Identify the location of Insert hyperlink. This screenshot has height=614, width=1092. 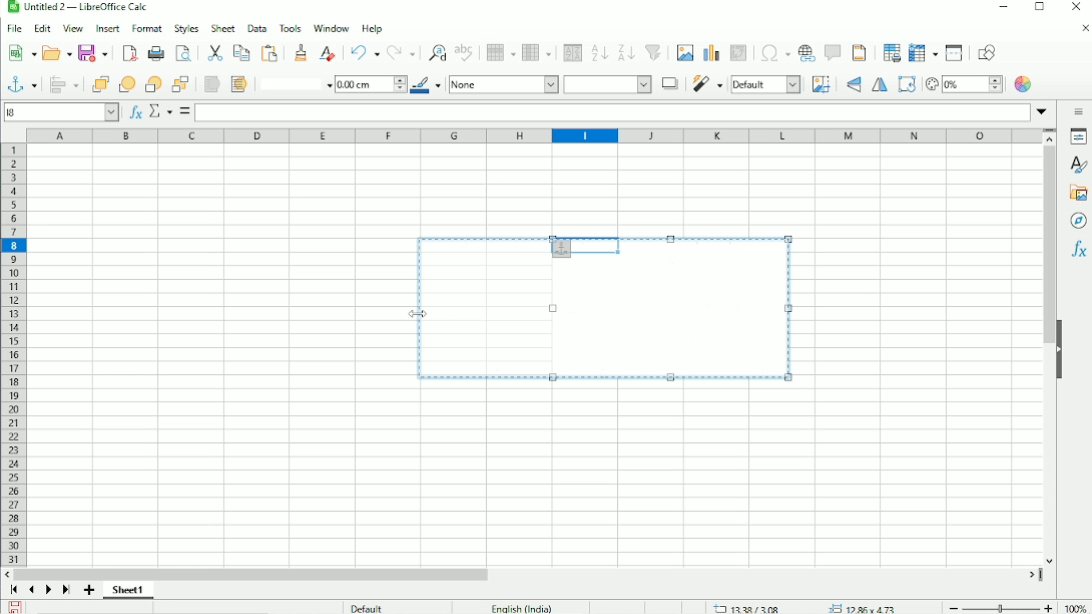
(807, 53).